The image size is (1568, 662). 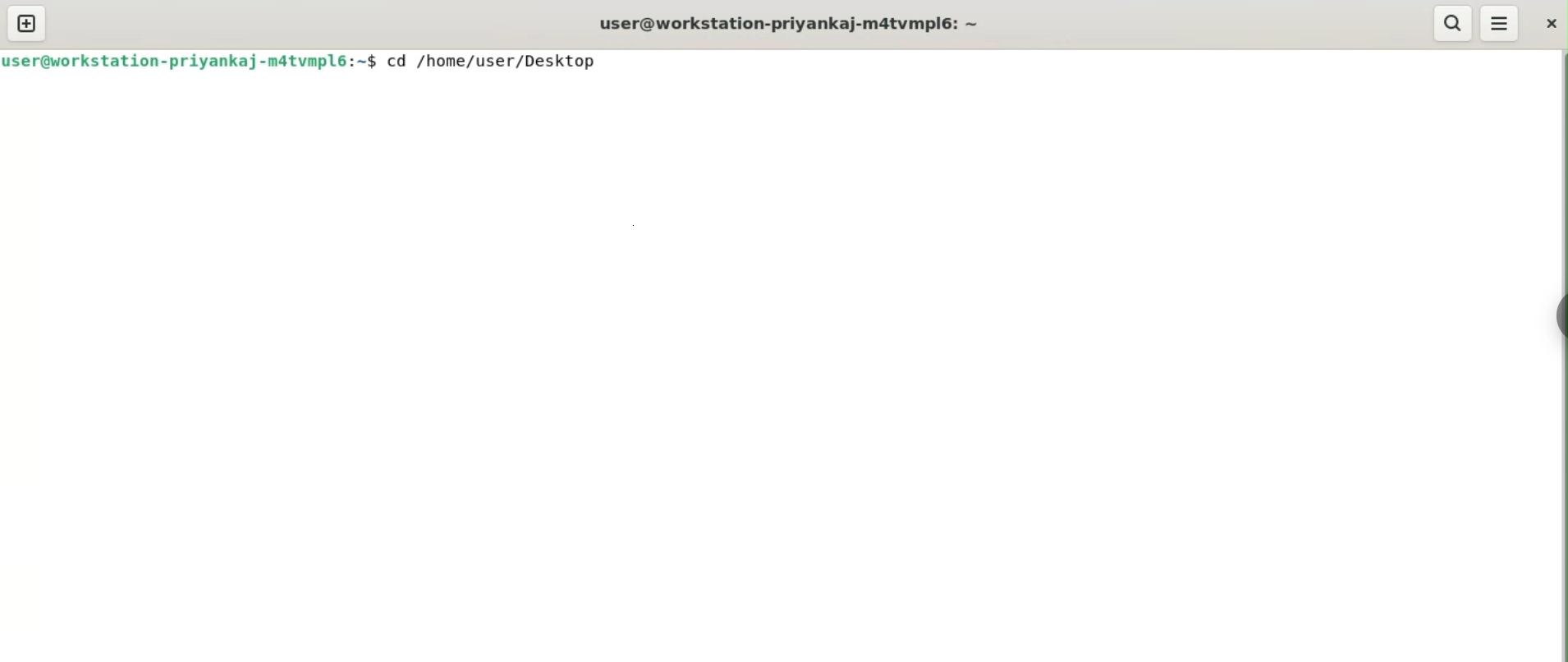 What do you see at coordinates (1499, 23) in the screenshot?
I see `menu` at bounding box center [1499, 23].